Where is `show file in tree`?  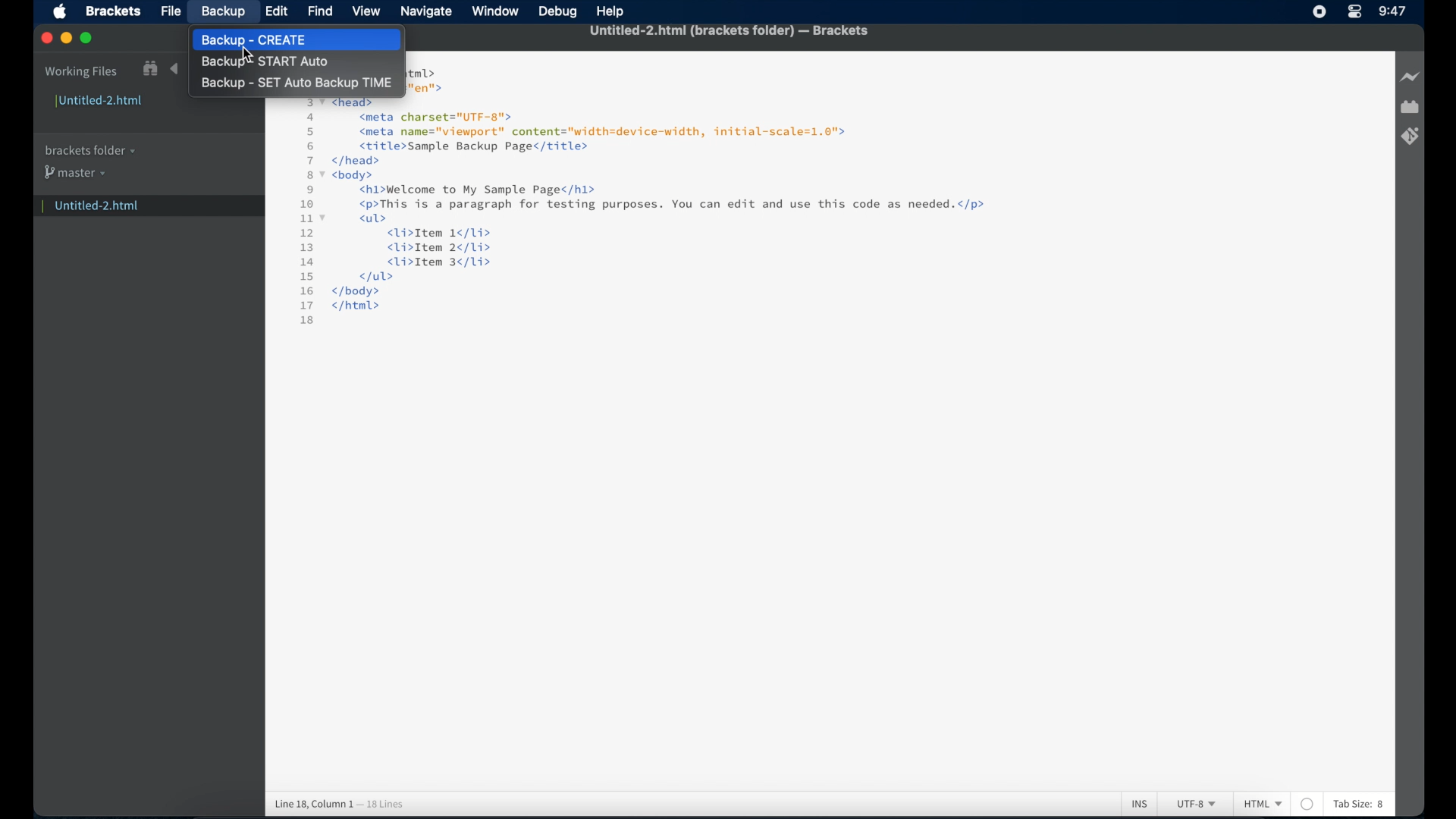
show file in tree is located at coordinates (150, 69).